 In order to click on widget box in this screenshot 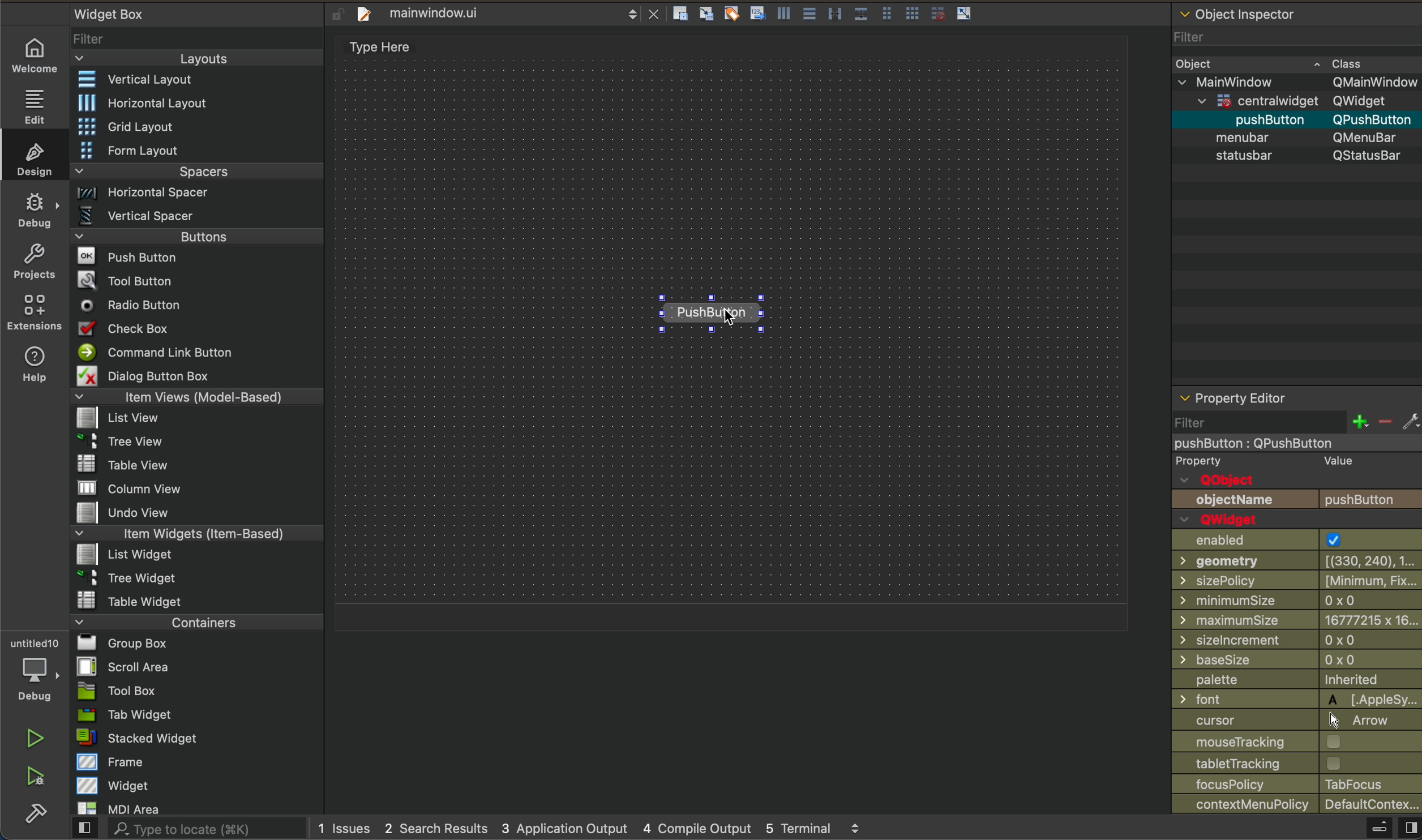, I will do `click(112, 13)`.